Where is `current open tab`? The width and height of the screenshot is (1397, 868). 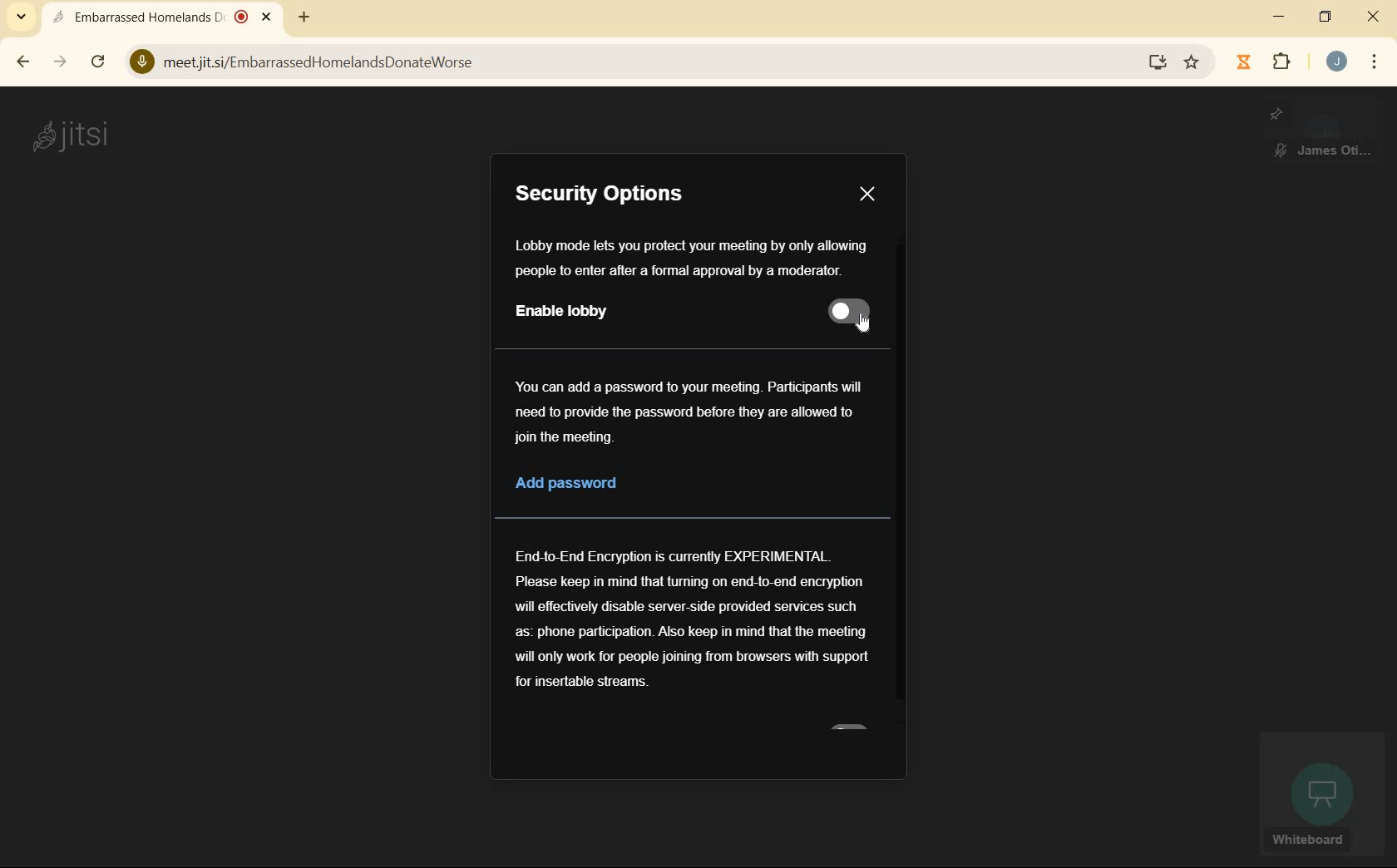
current open tab is located at coordinates (166, 19).